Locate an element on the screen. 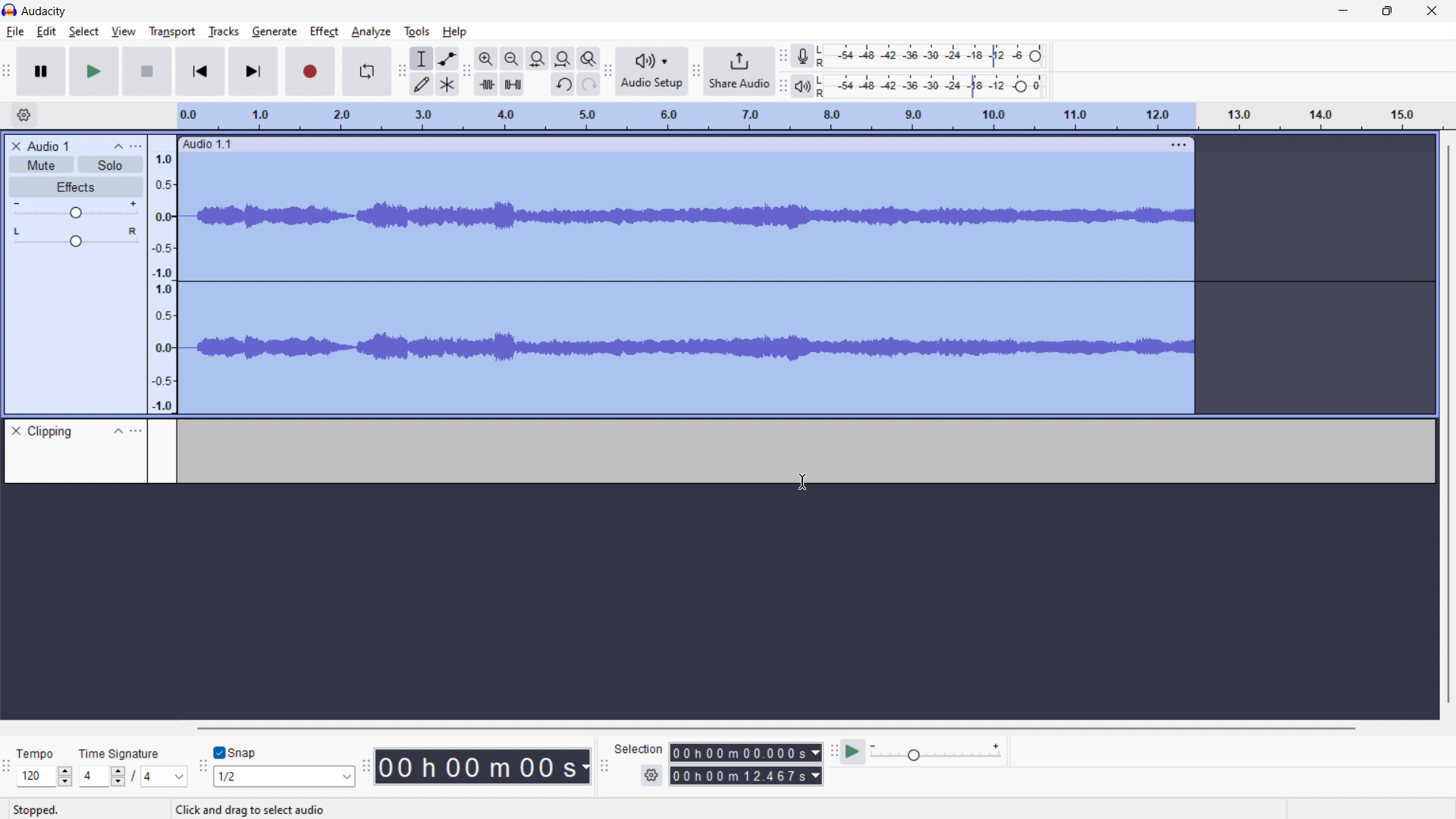 The height and width of the screenshot is (819, 1456). tracks is located at coordinates (225, 31).